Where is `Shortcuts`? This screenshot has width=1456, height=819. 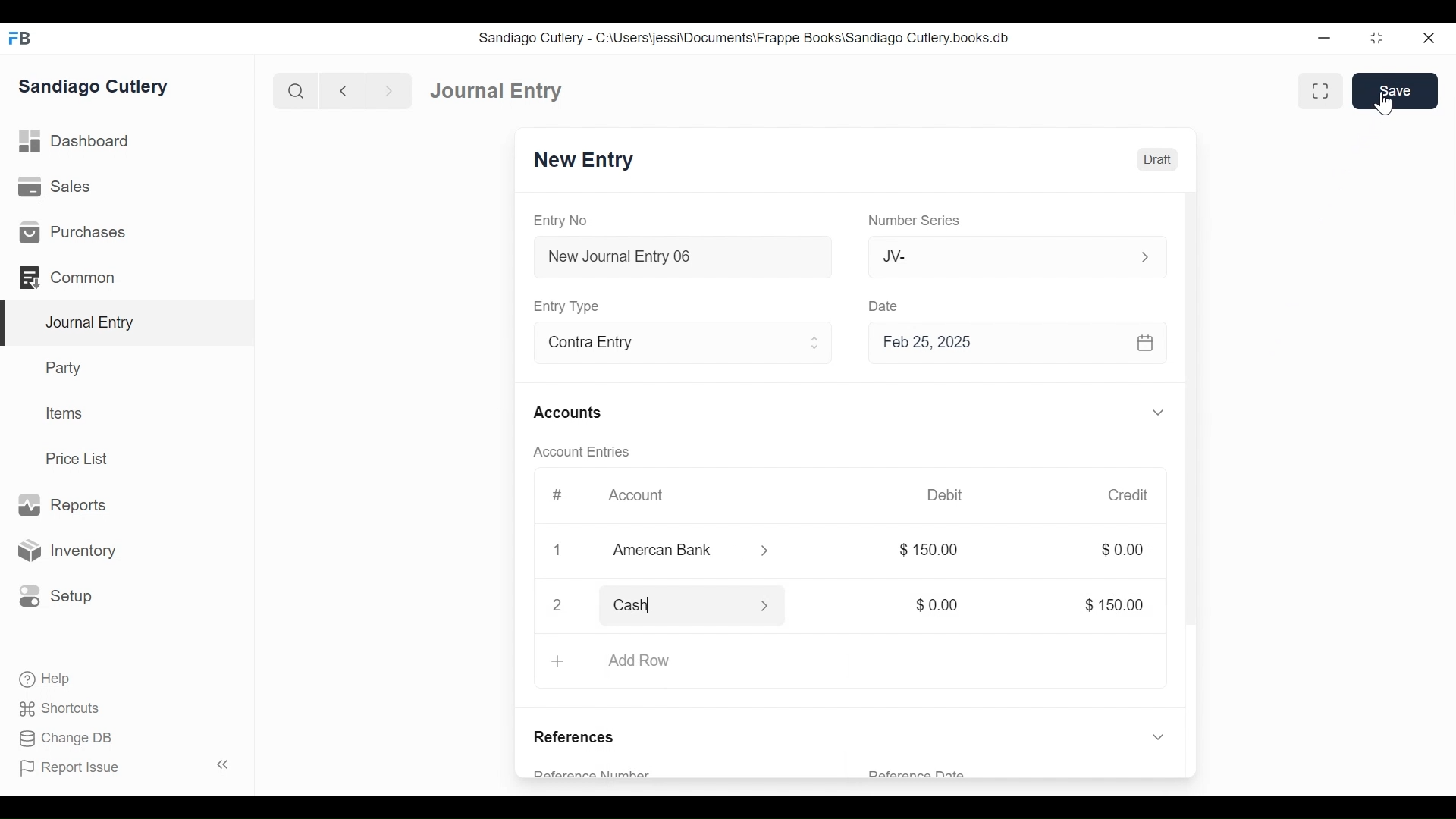 Shortcuts is located at coordinates (64, 708).